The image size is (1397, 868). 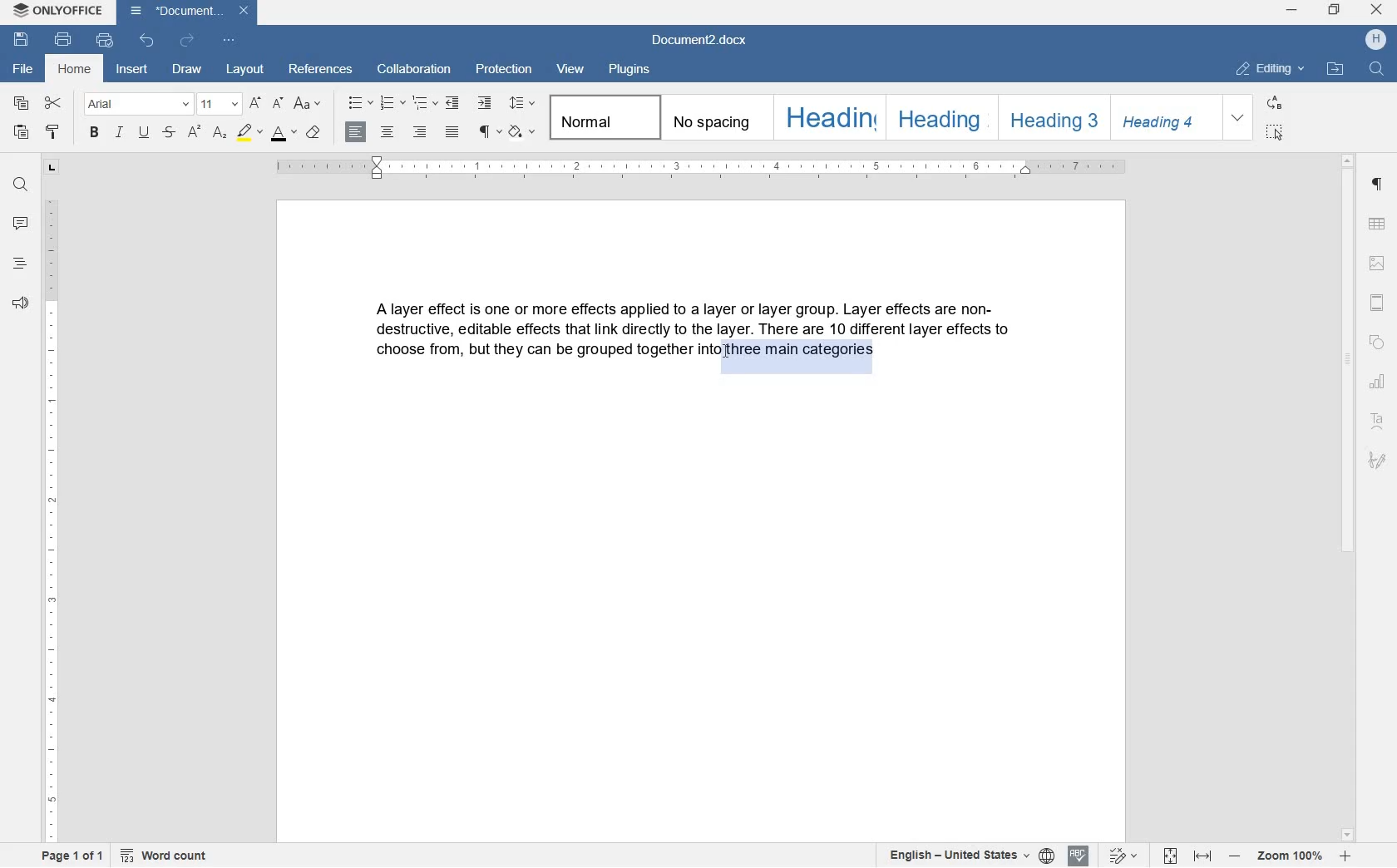 What do you see at coordinates (248, 71) in the screenshot?
I see `layout` at bounding box center [248, 71].